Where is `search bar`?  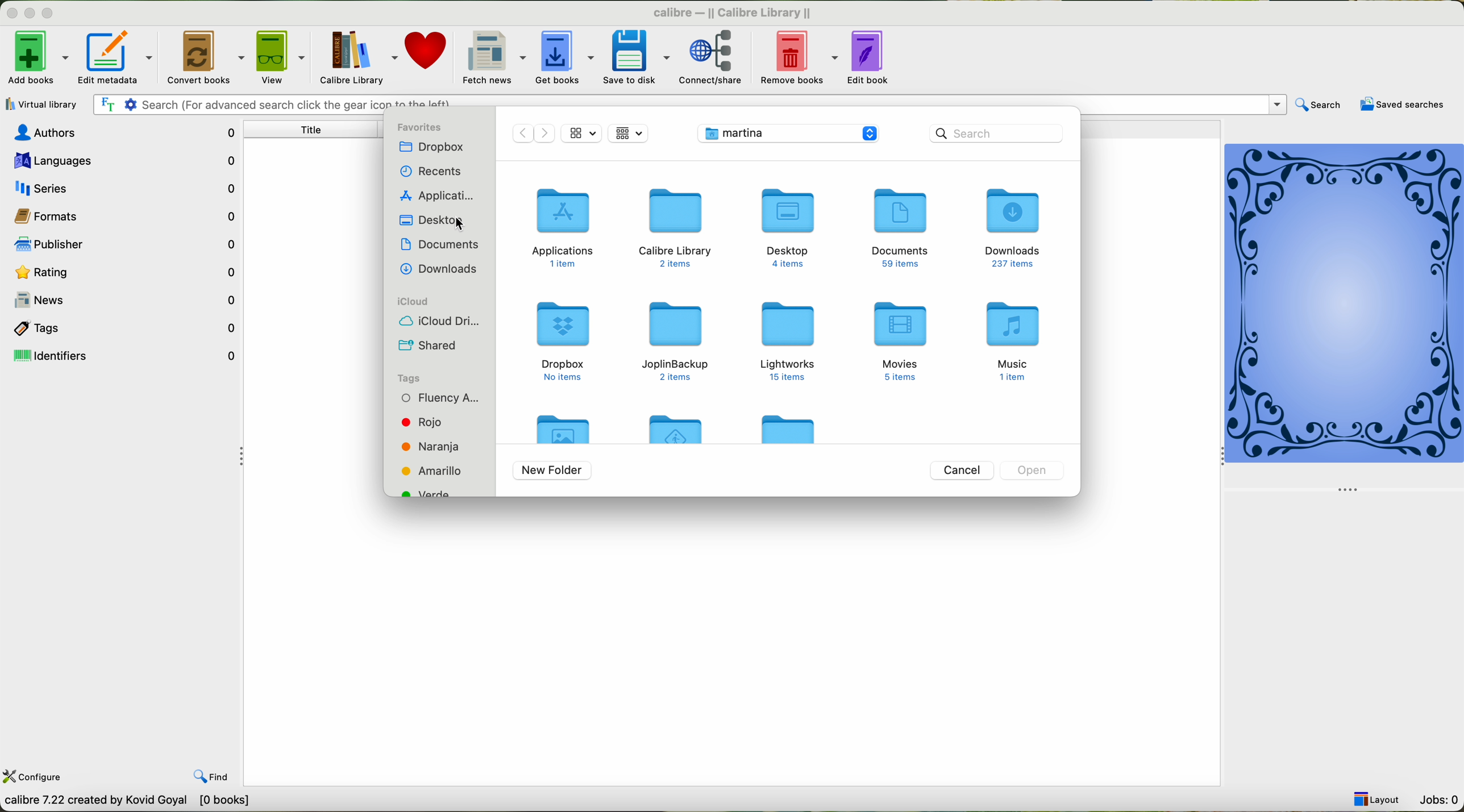 search bar is located at coordinates (996, 134).